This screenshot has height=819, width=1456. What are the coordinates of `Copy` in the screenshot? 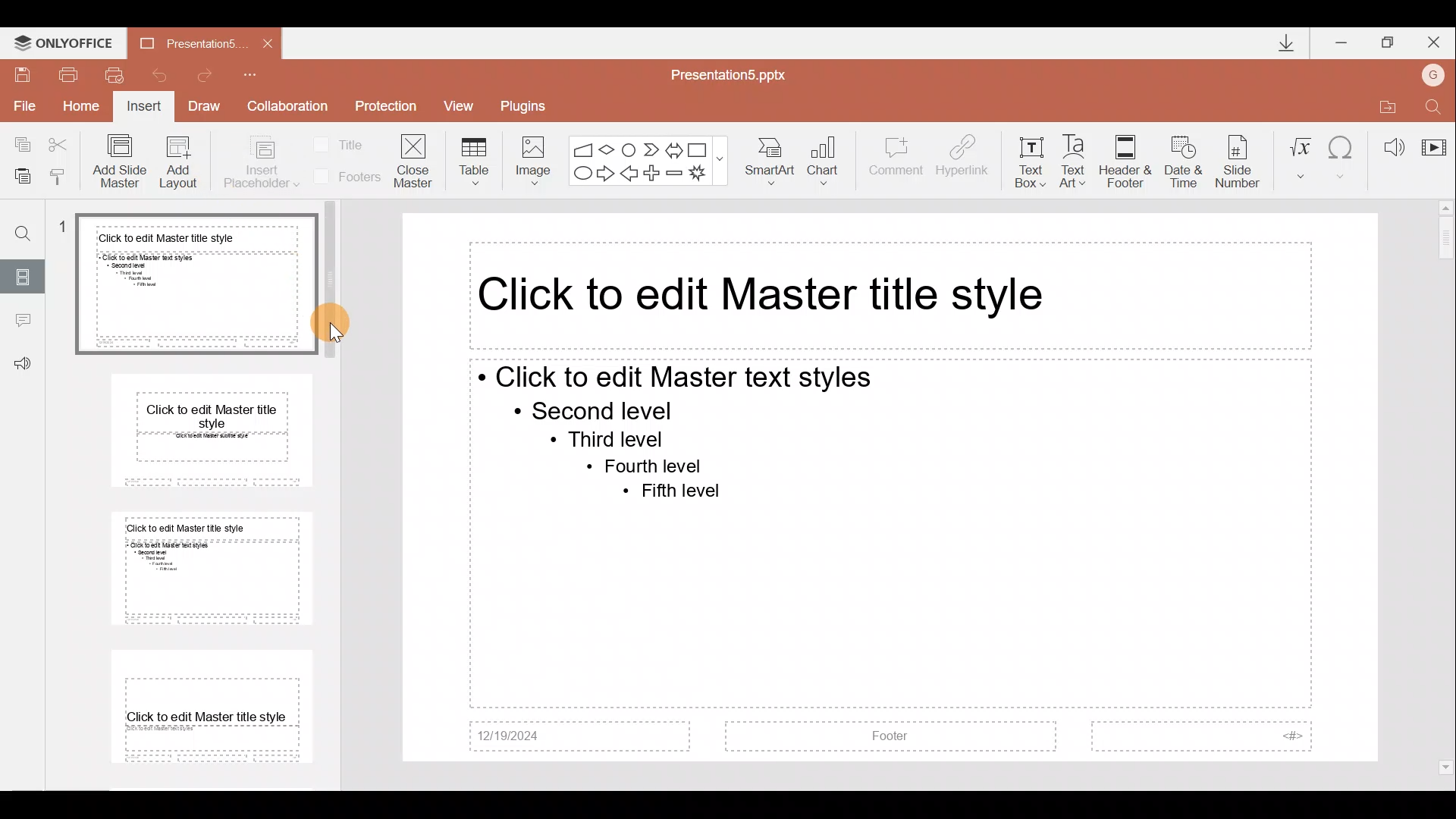 It's located at (17, 144).